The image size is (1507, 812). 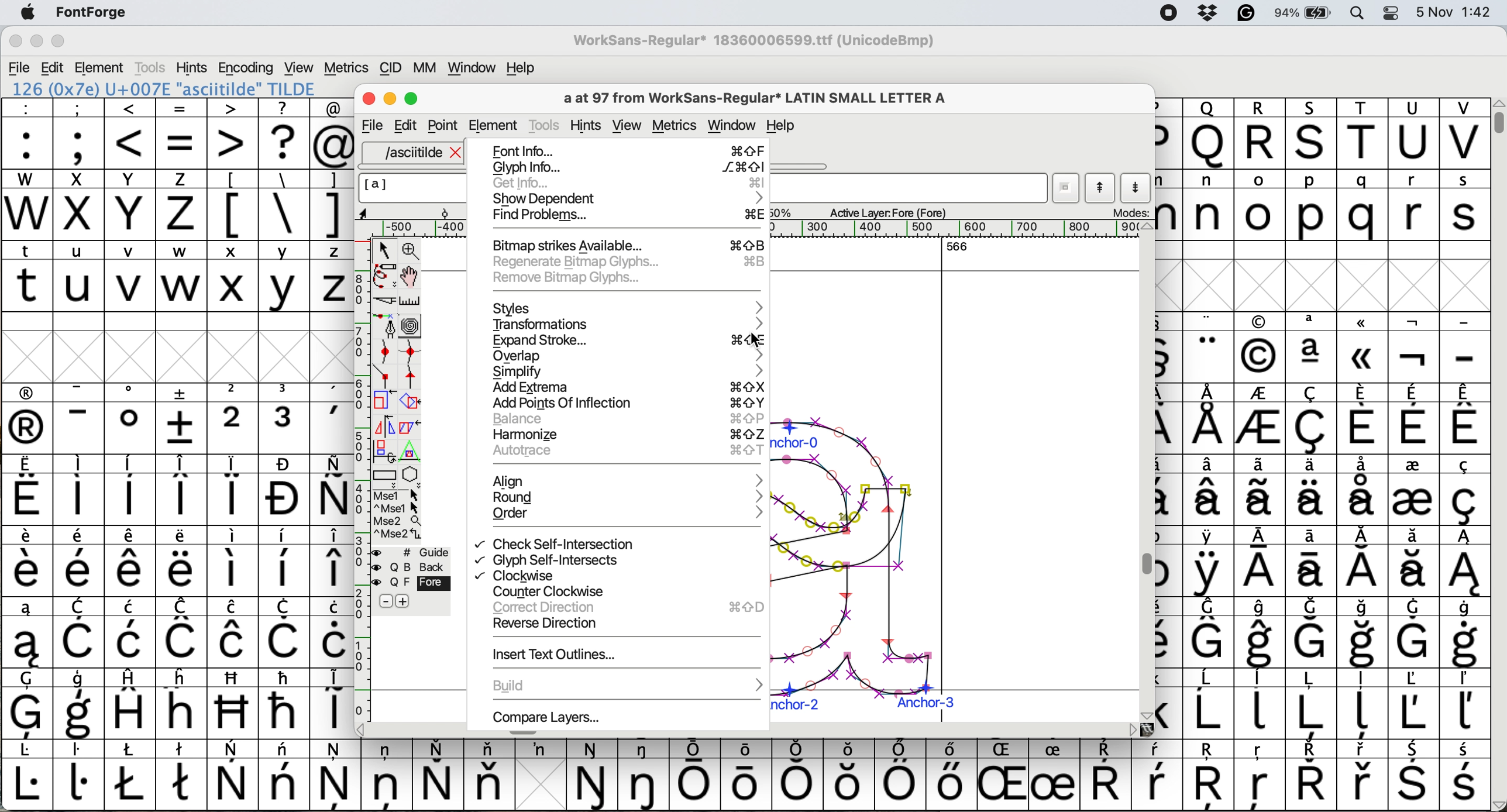 I want to click on Point, so click(x=444, y=127).